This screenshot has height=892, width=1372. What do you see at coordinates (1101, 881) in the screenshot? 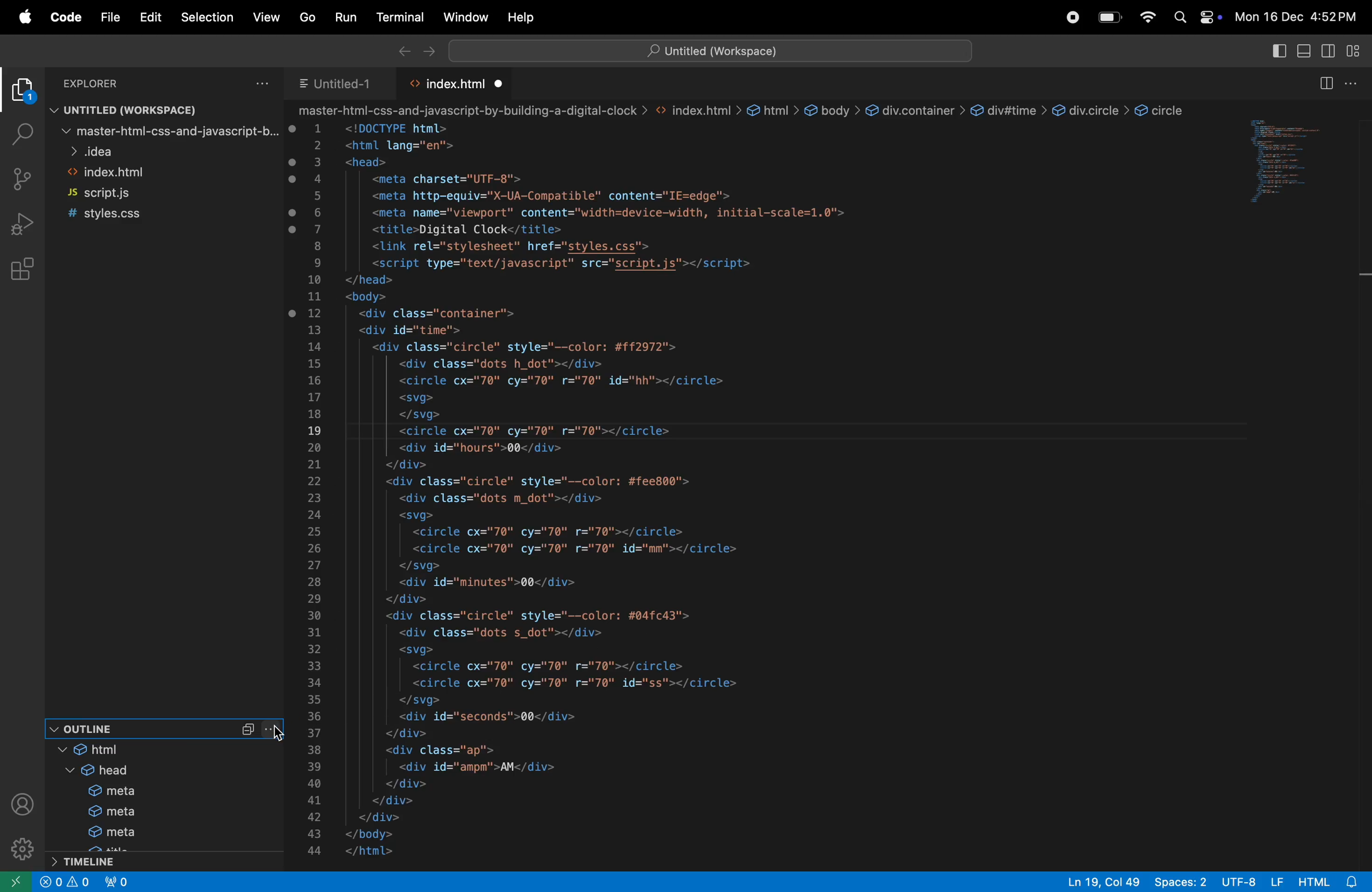
I see `line col` at bounding box center [1101, 881].